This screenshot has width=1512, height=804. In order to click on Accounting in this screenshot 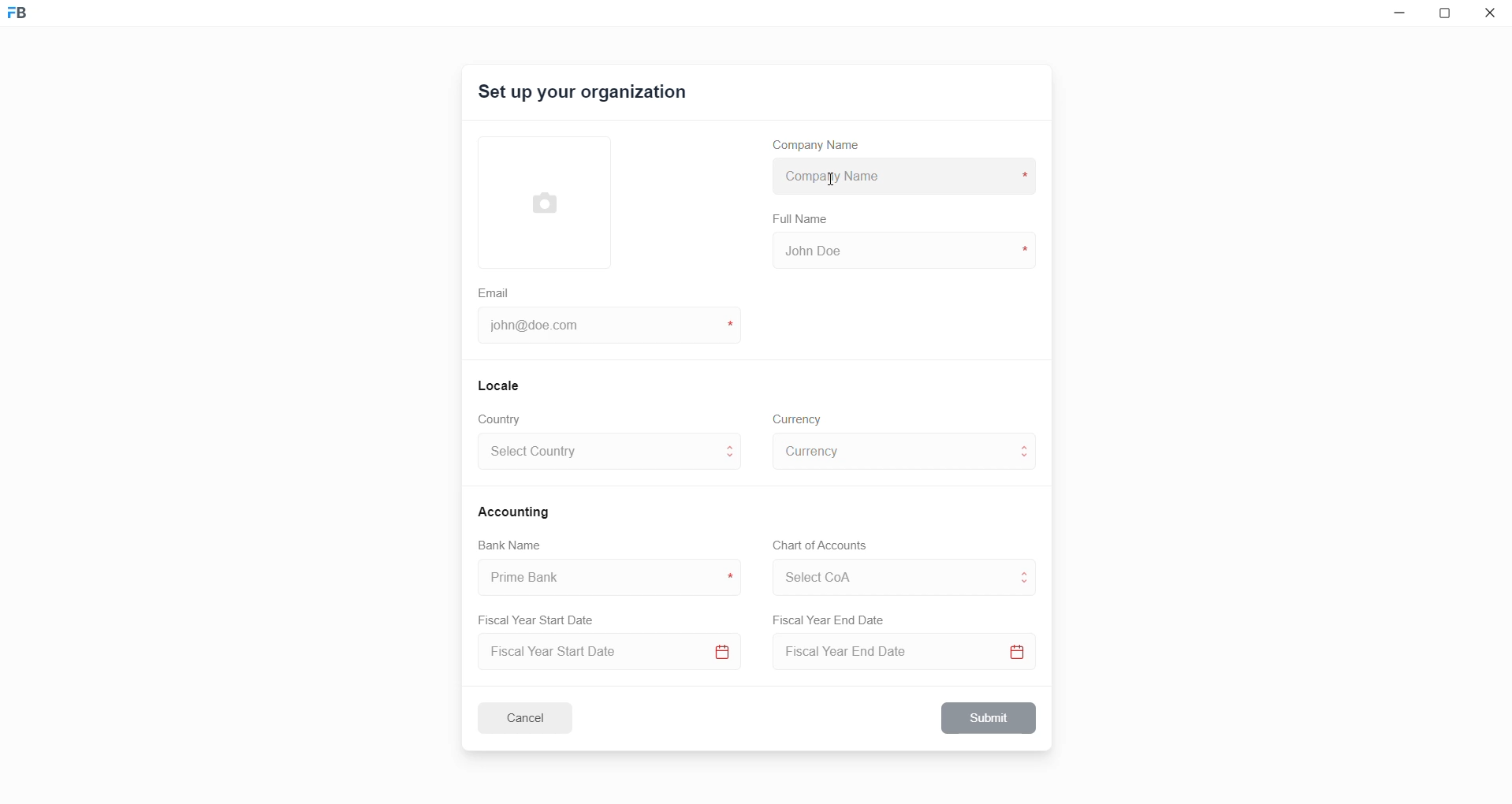, I will do `click(516, 511)`.